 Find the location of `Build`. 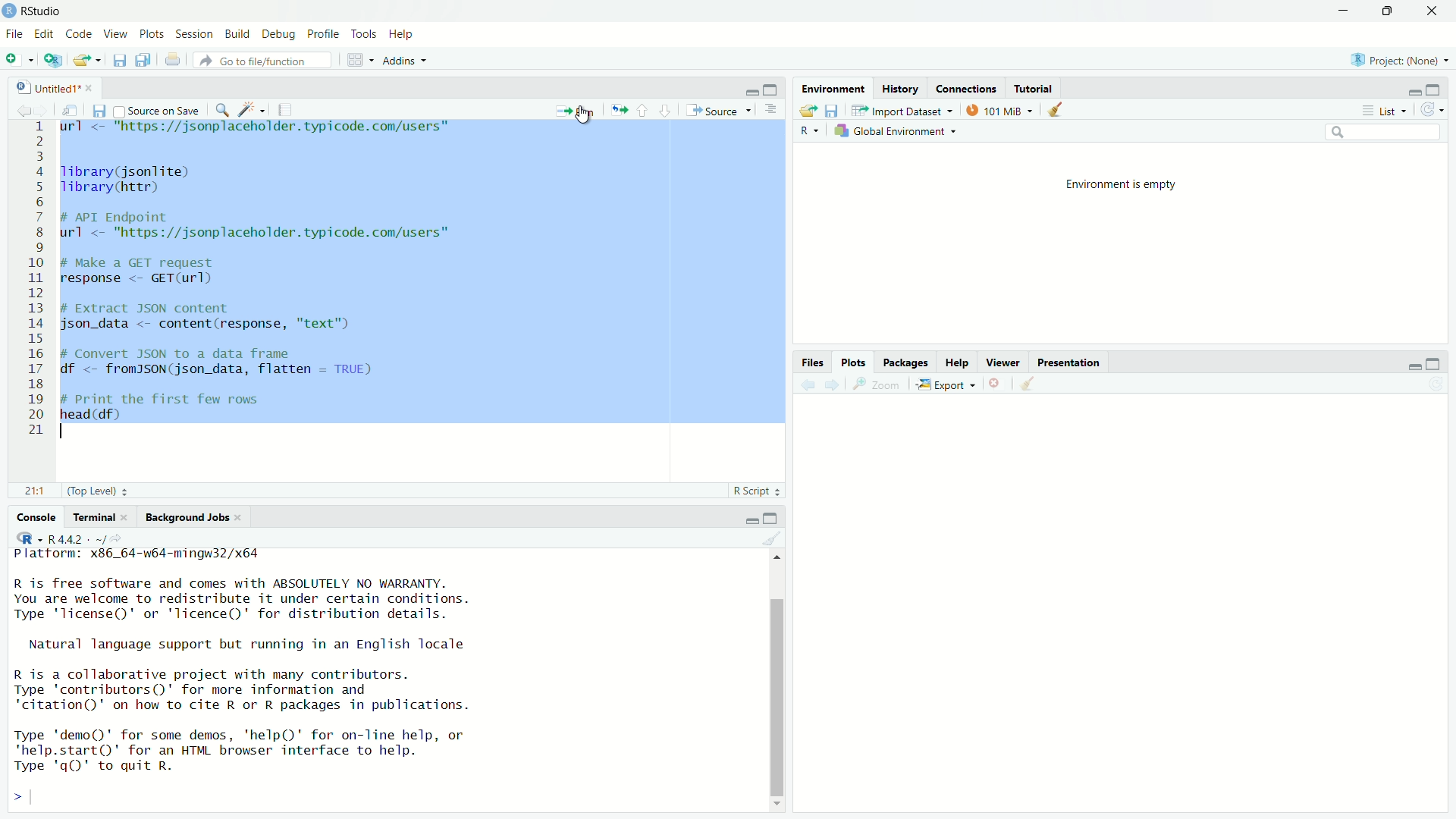

Build is located at coordinates (237, 35).